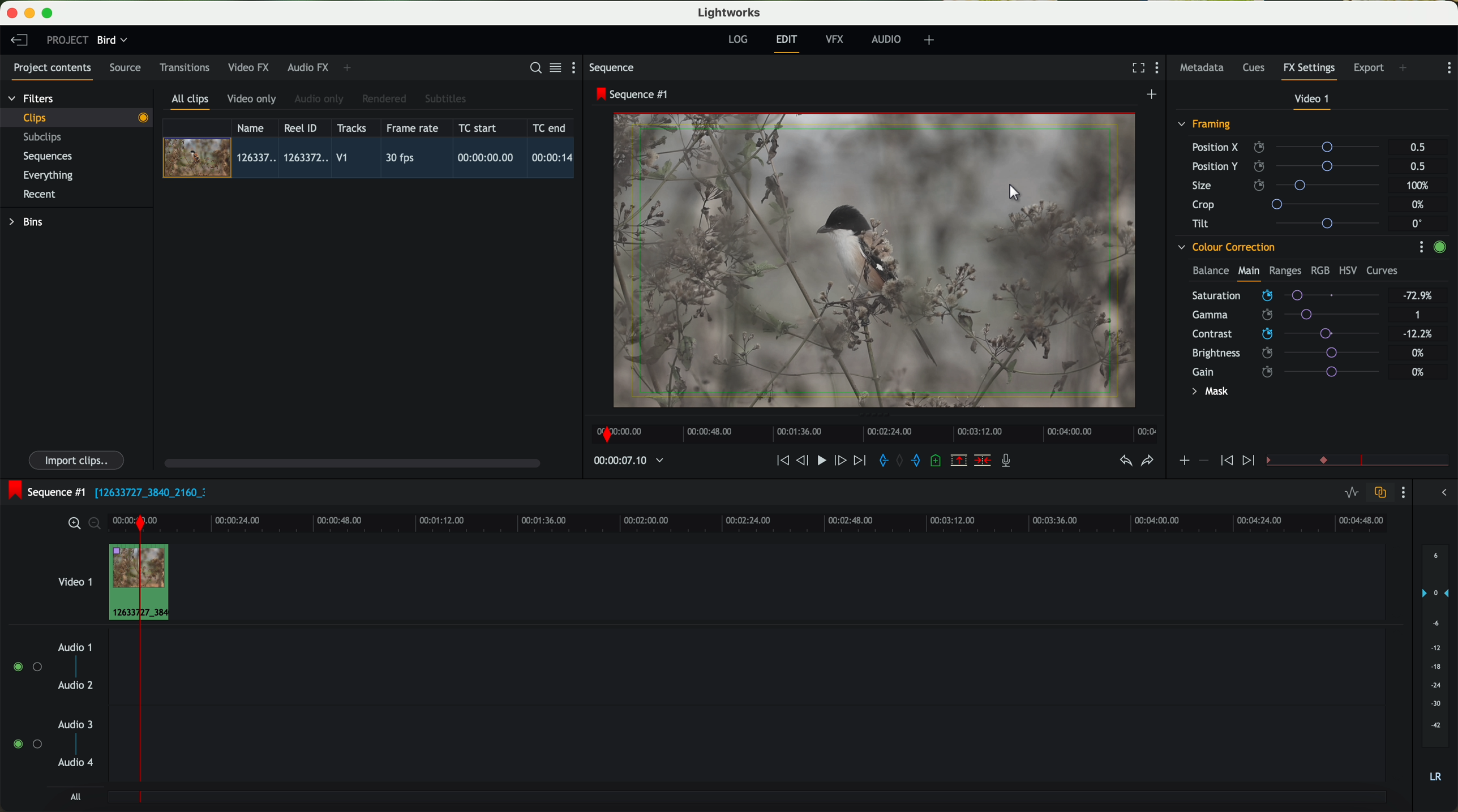 The height and width of the screenshot is (812, 1458). Describe the element at coordinates (1280, 315) in the screenshot. I see `click on saturation` at that location.